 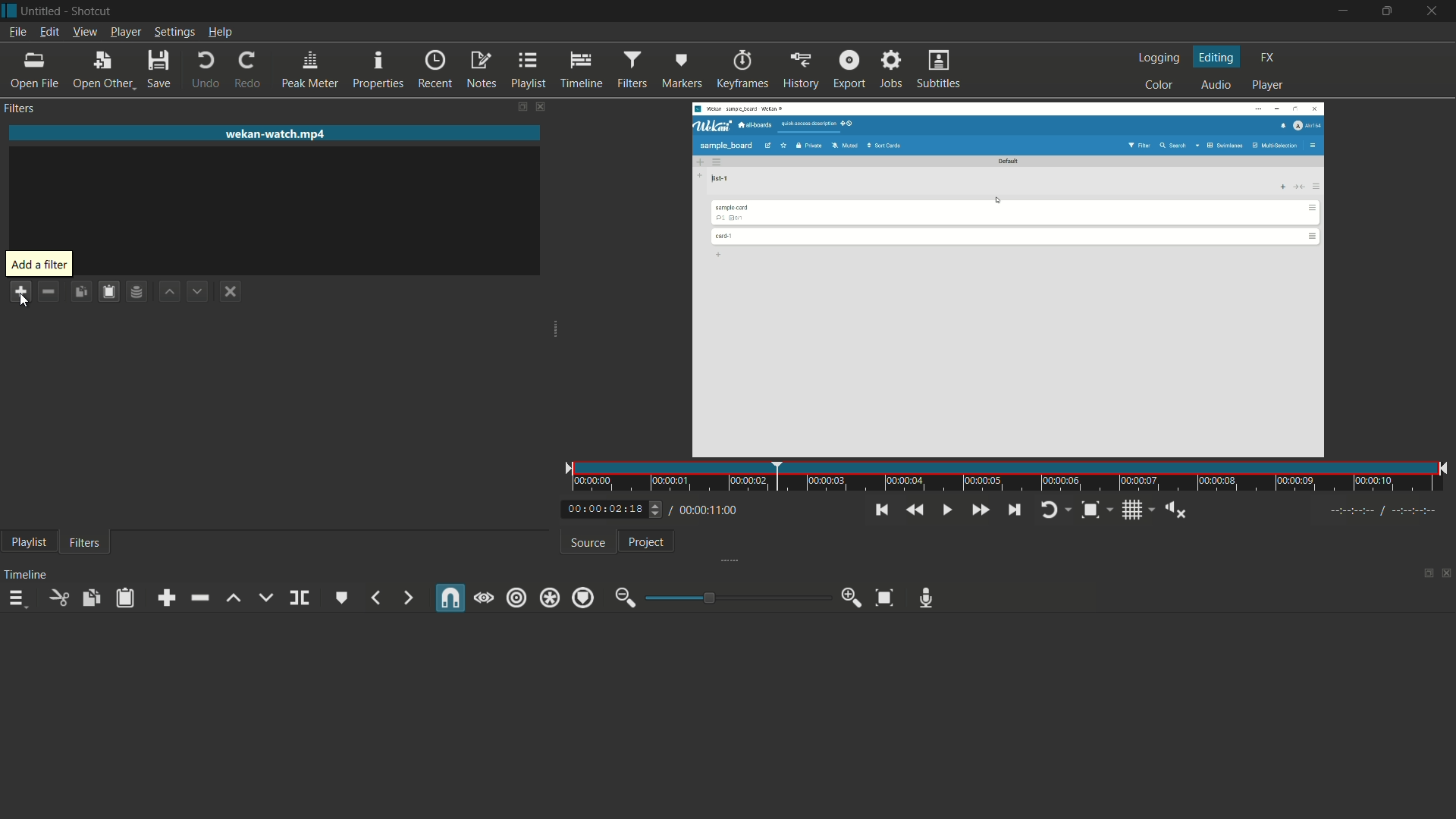 I want to click on undo, so click(x=206, y=71).